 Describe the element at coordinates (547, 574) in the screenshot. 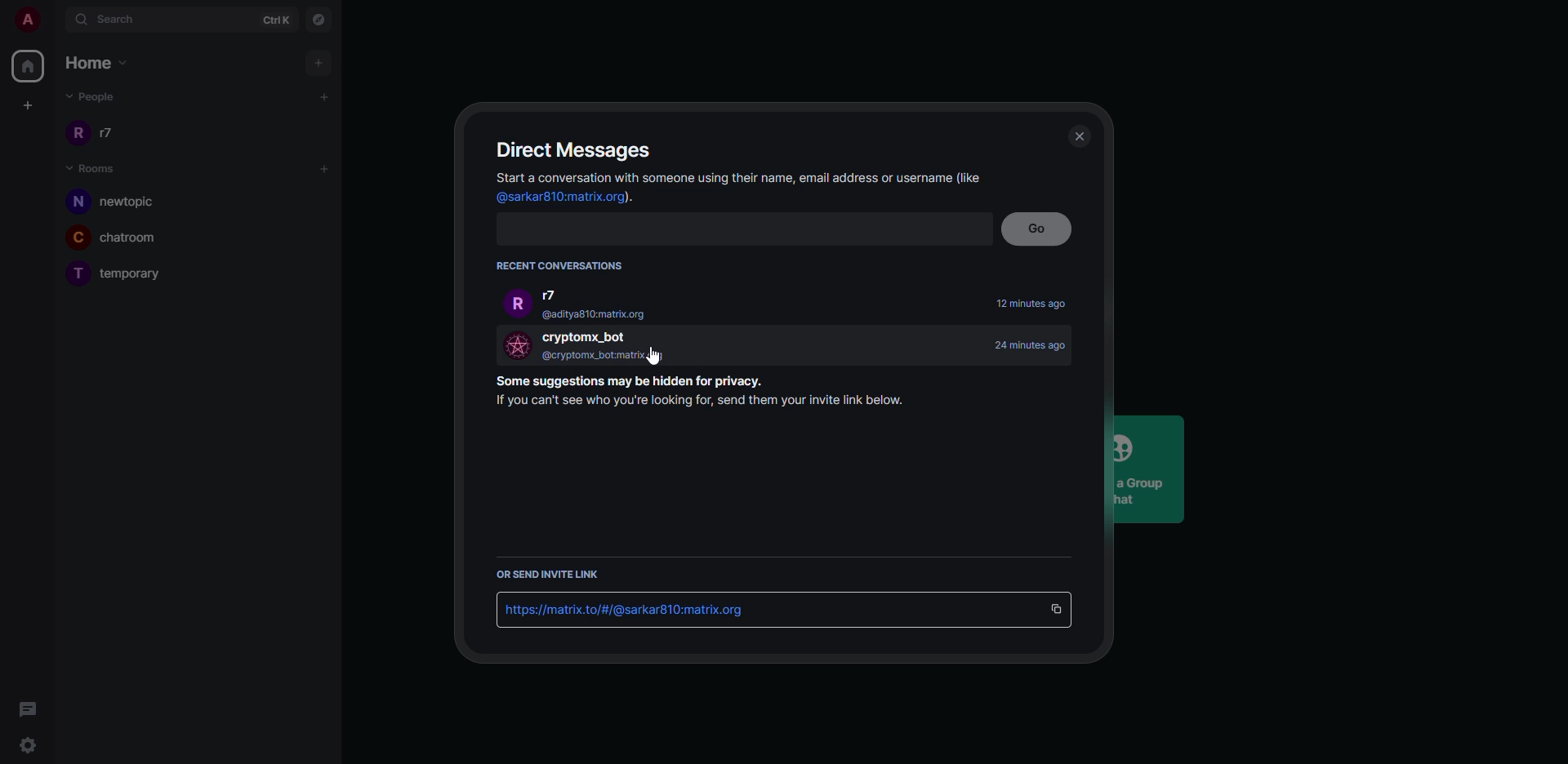

I see `send link` at that location.